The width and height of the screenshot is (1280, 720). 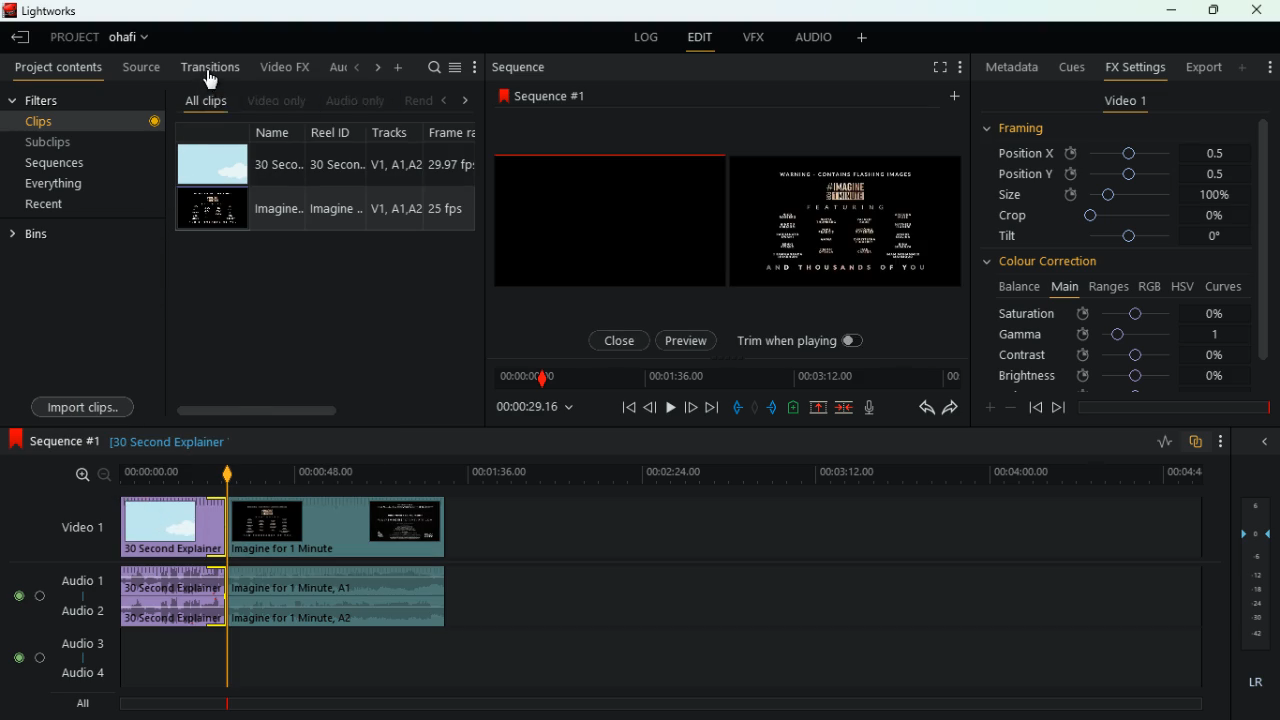 What do you see at coordinates (615, 340) in the screenshot?
I see `close` at bounding box center [615, 340].